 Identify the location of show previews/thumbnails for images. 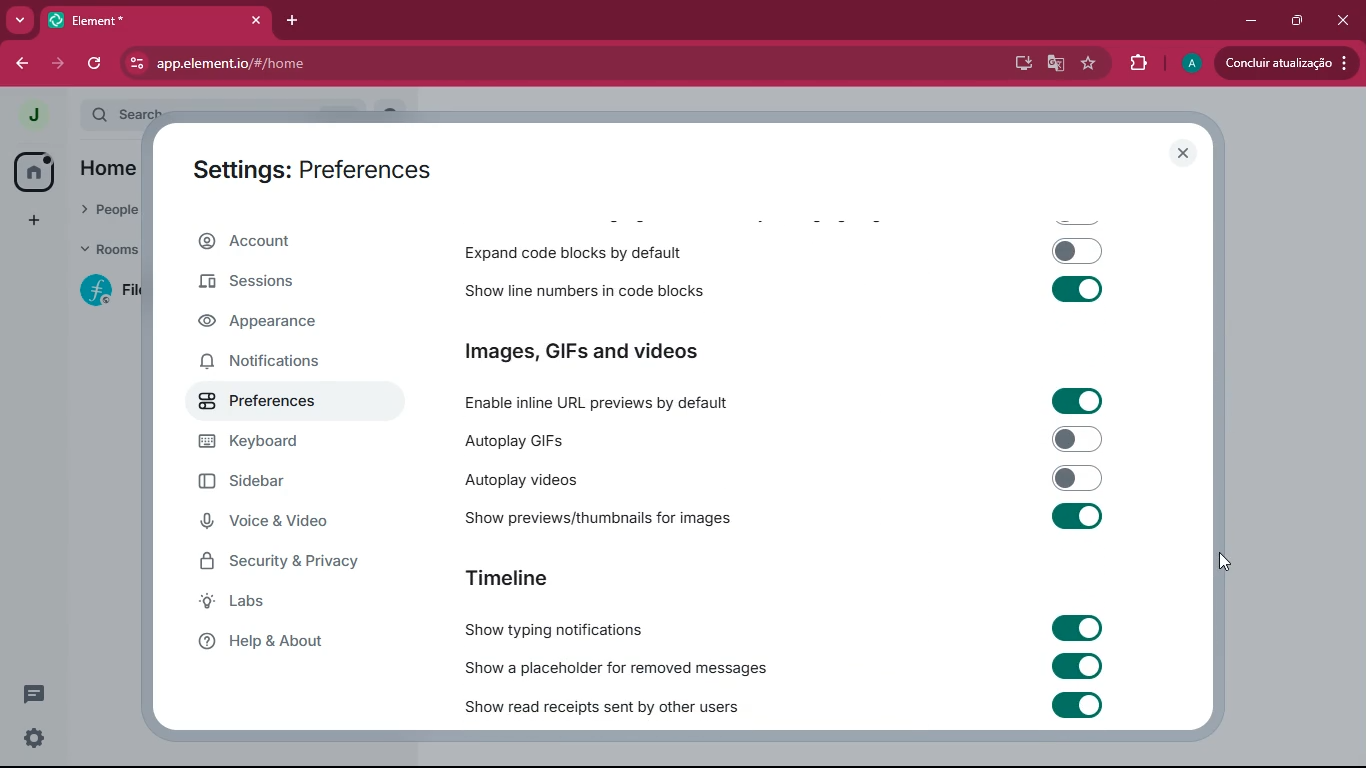
(601, 517).